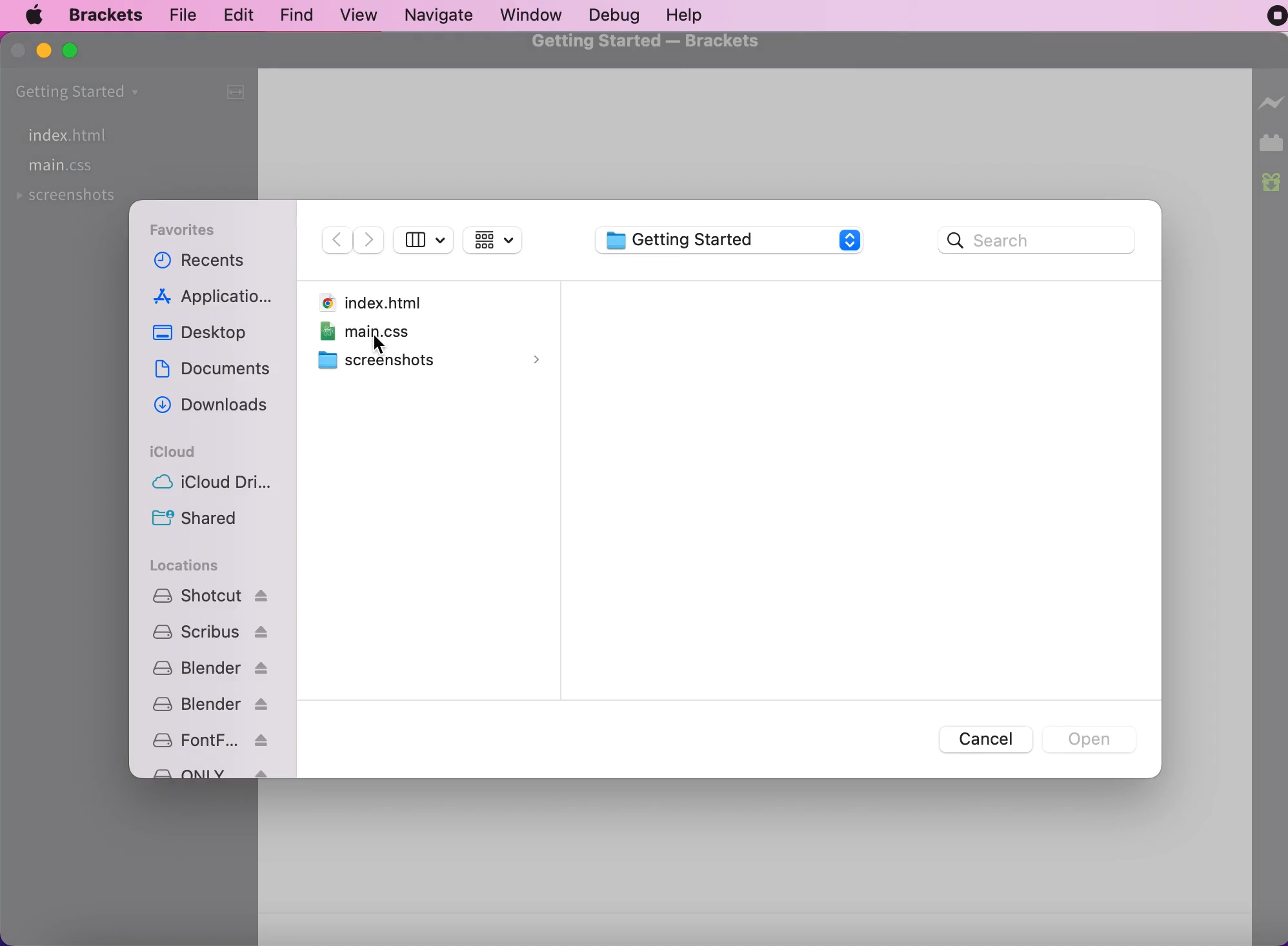  I want to click on debug, so click(620, 15).